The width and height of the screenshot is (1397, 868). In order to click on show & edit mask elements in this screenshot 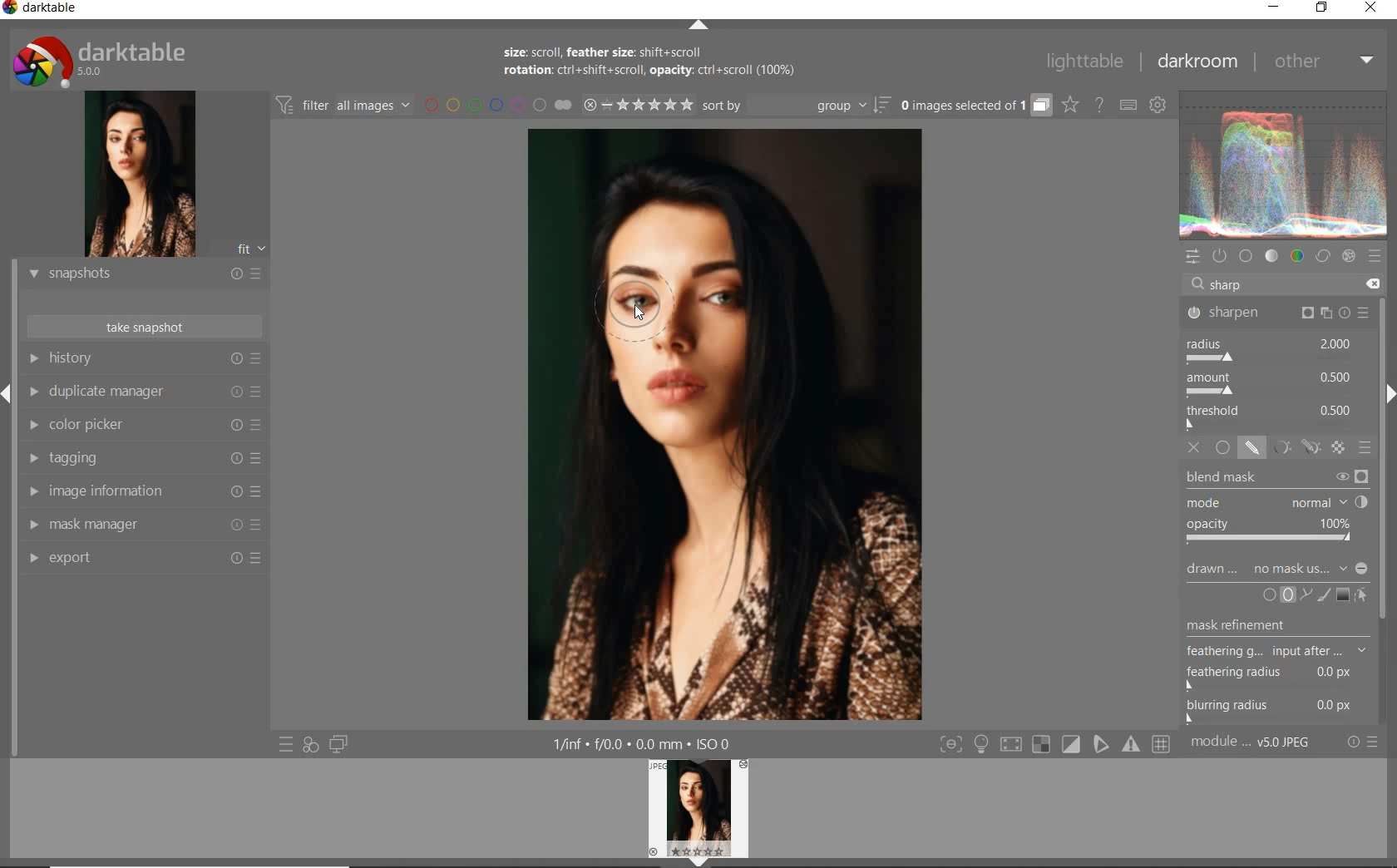, I will do `click(1362, 595)`.